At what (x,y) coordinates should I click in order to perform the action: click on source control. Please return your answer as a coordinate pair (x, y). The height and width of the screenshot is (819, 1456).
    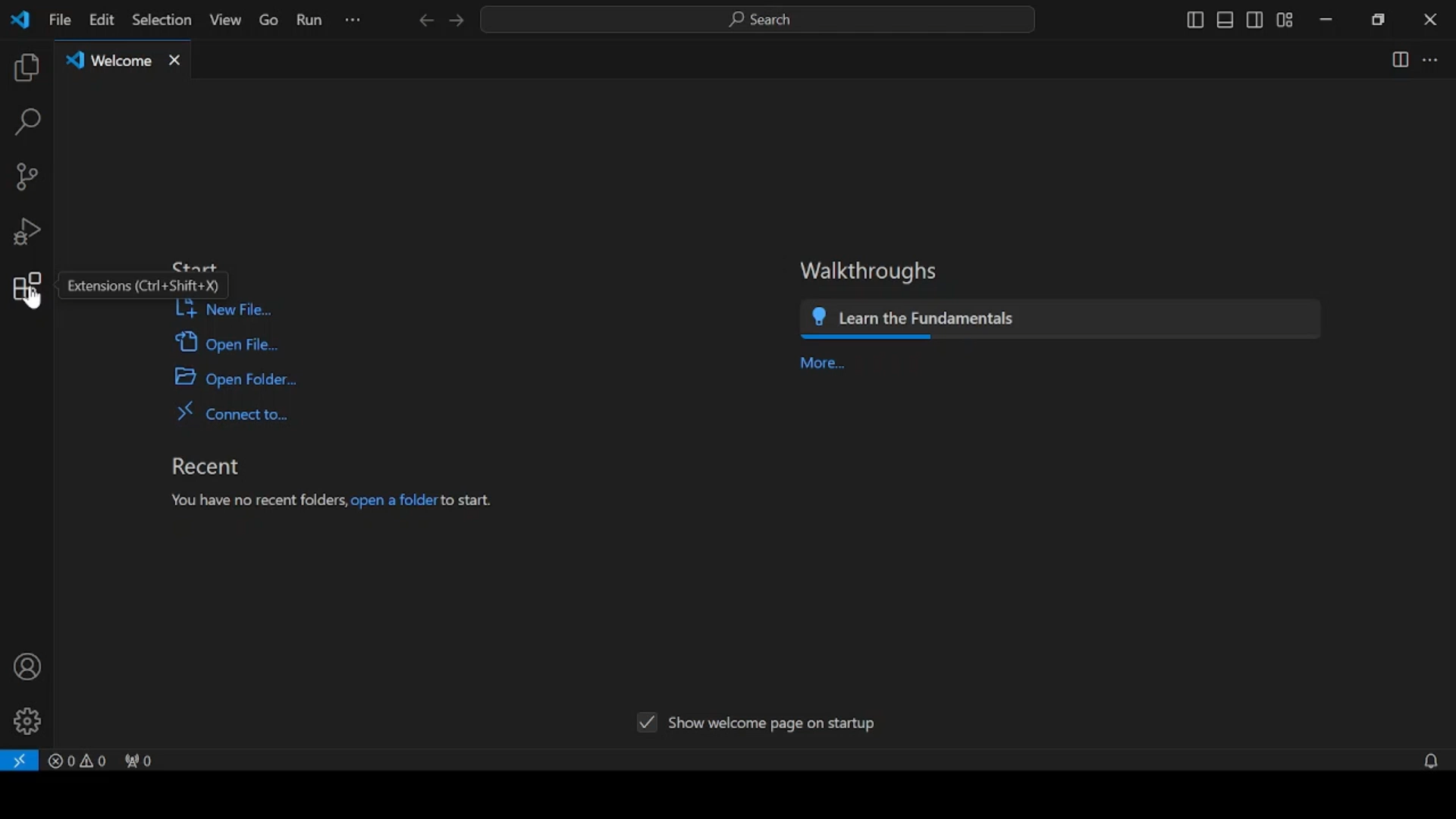
    Looking at the image, I should click on (27, 177).